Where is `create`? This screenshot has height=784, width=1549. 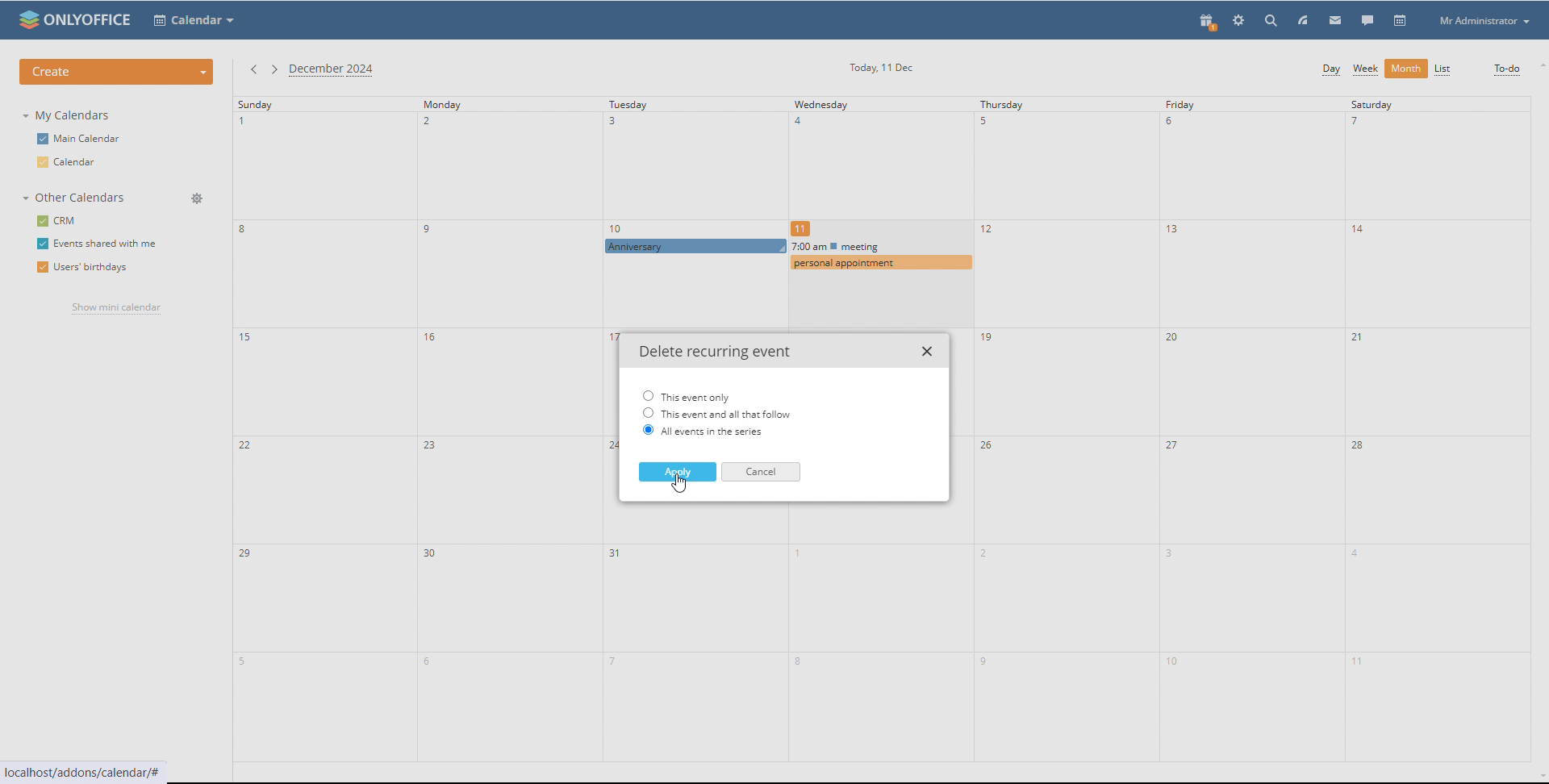 create is located at coordinates (116, 72).